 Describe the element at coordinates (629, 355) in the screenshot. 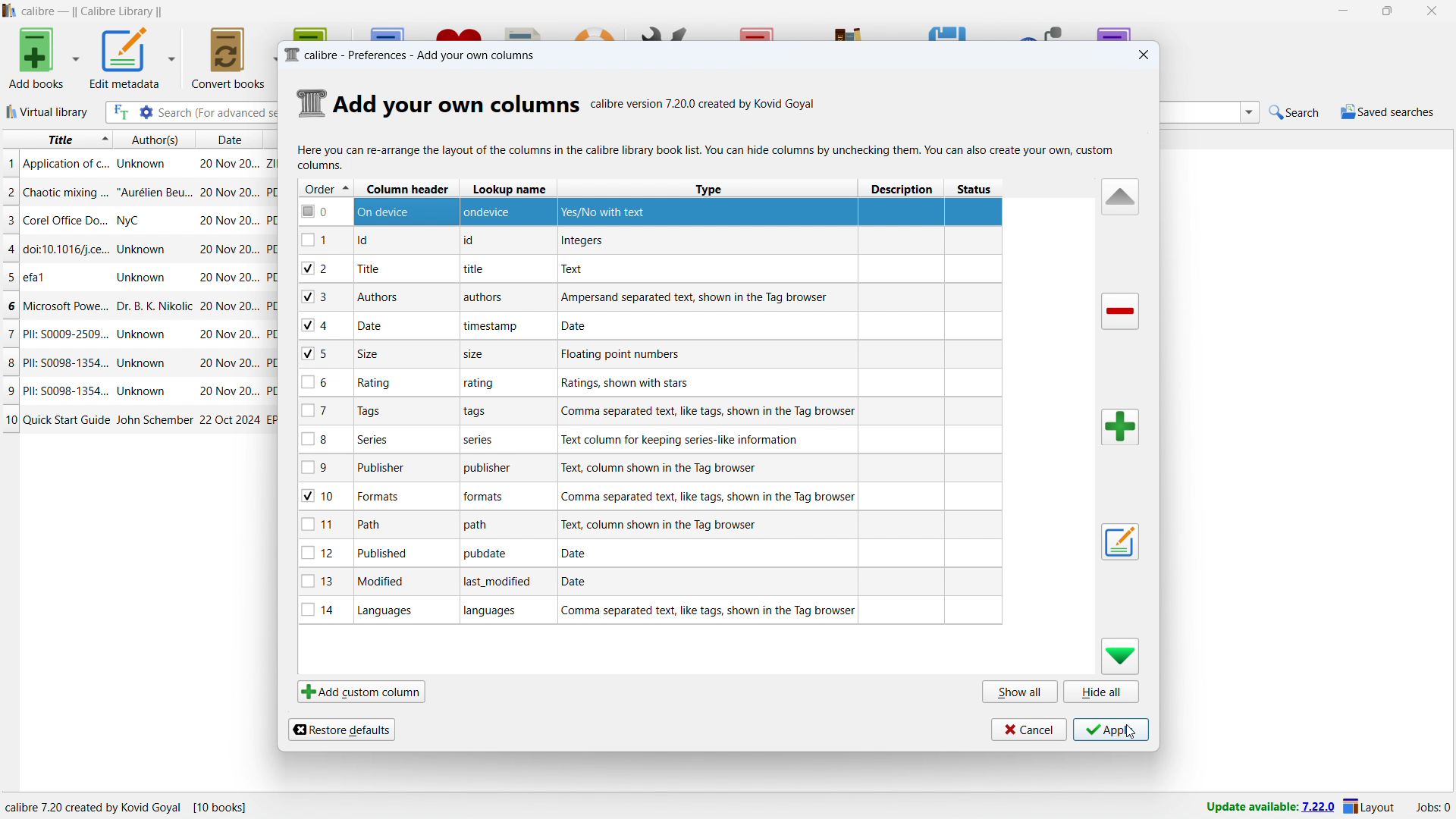

I see `Floating point numbers` at that location.